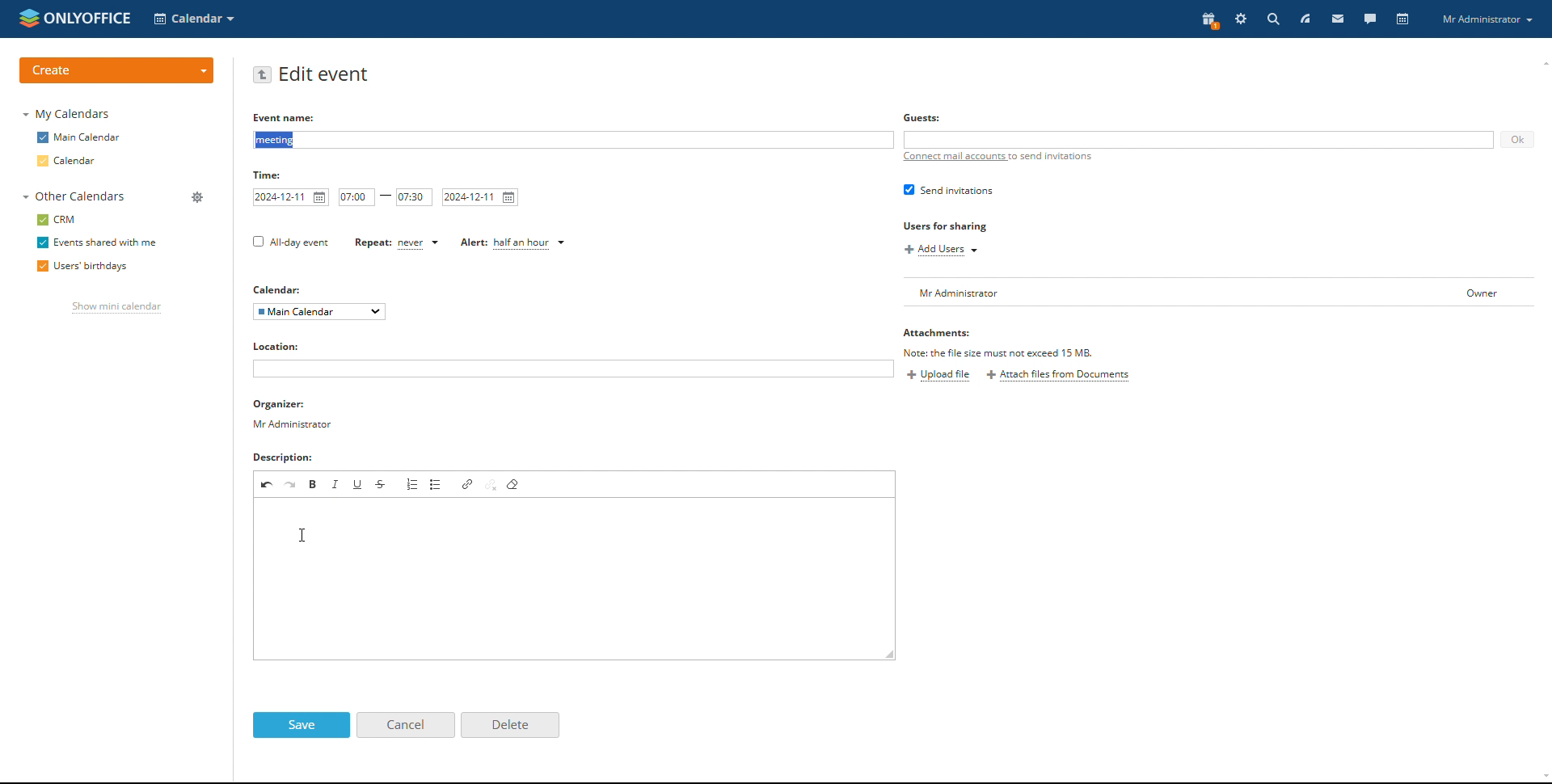  Describe the element at coordinates (74, 16) in the screenshot. I see `logo` at that location.